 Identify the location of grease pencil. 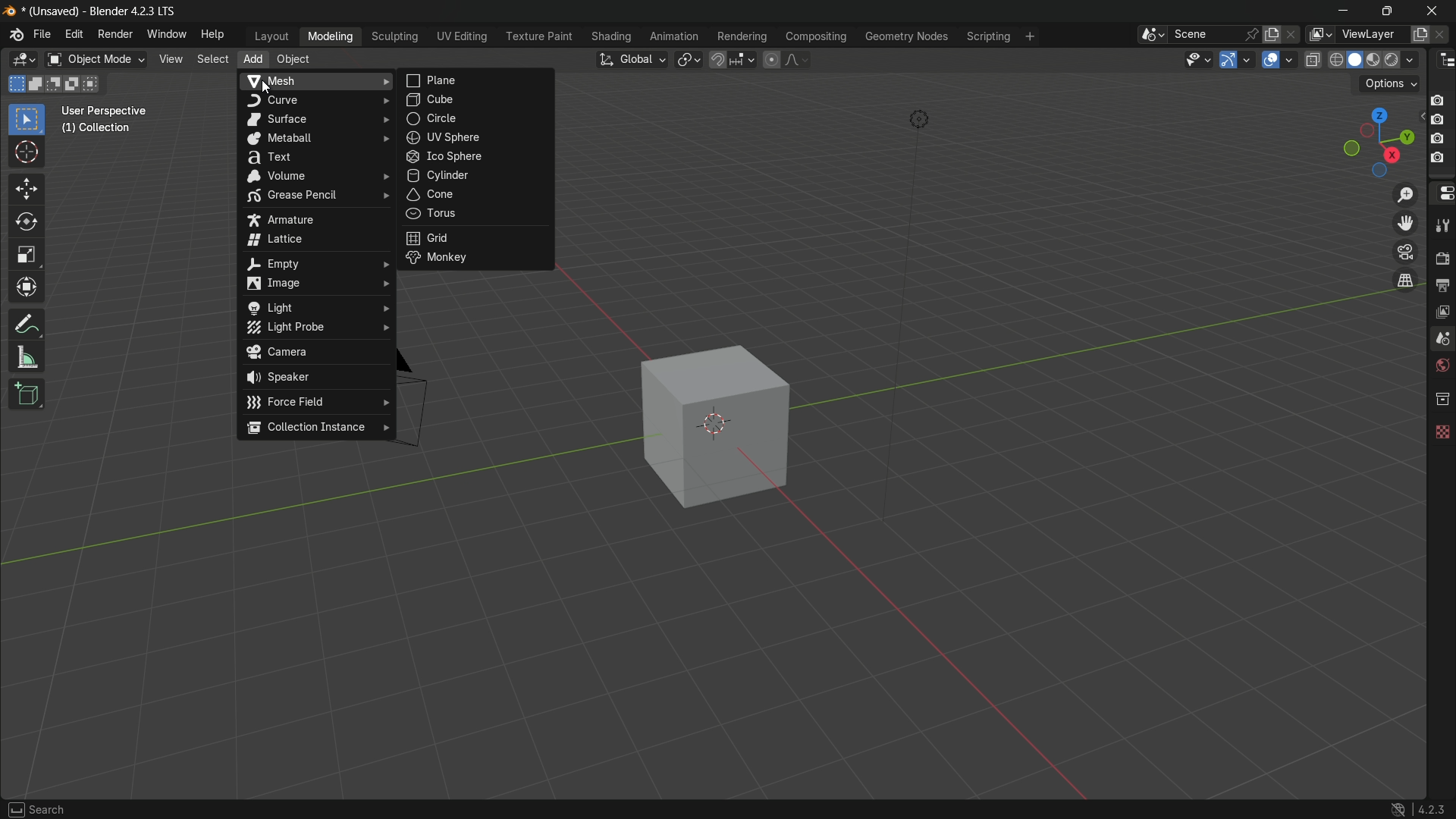
(314, 196).